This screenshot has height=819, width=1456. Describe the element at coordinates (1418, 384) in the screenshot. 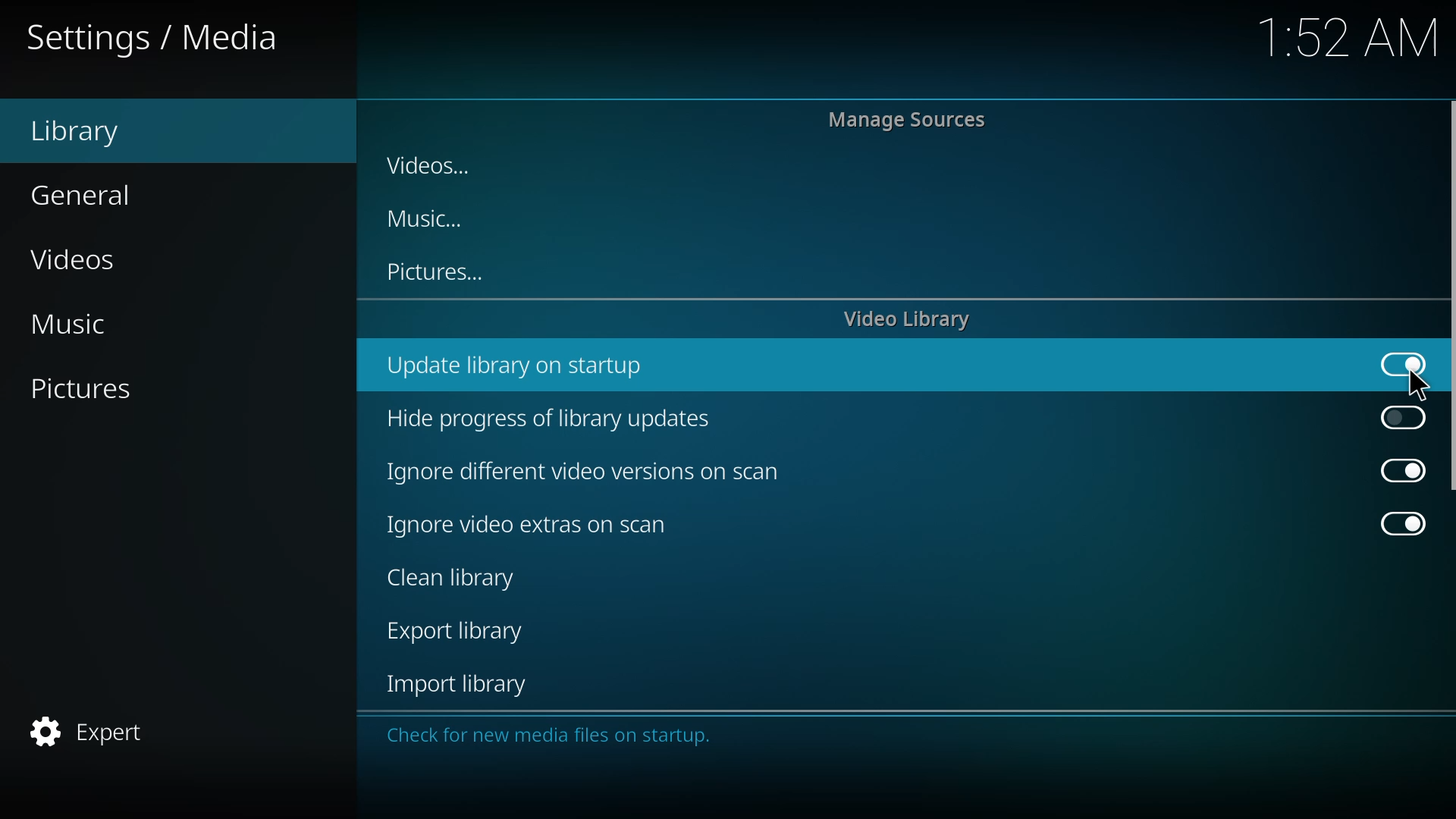

I see `cursor` at that location.